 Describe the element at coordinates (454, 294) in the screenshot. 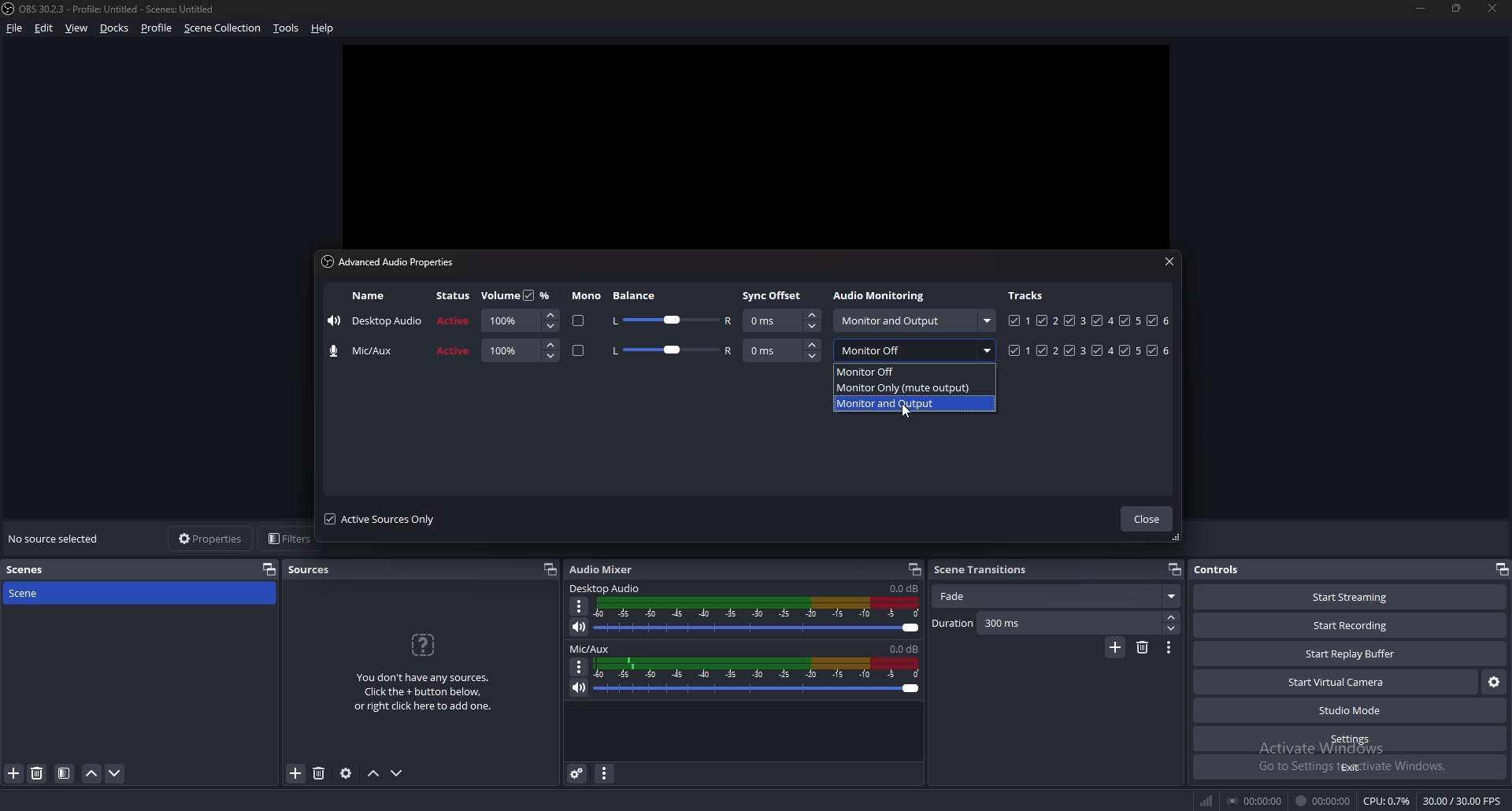

I see `status` at that location.